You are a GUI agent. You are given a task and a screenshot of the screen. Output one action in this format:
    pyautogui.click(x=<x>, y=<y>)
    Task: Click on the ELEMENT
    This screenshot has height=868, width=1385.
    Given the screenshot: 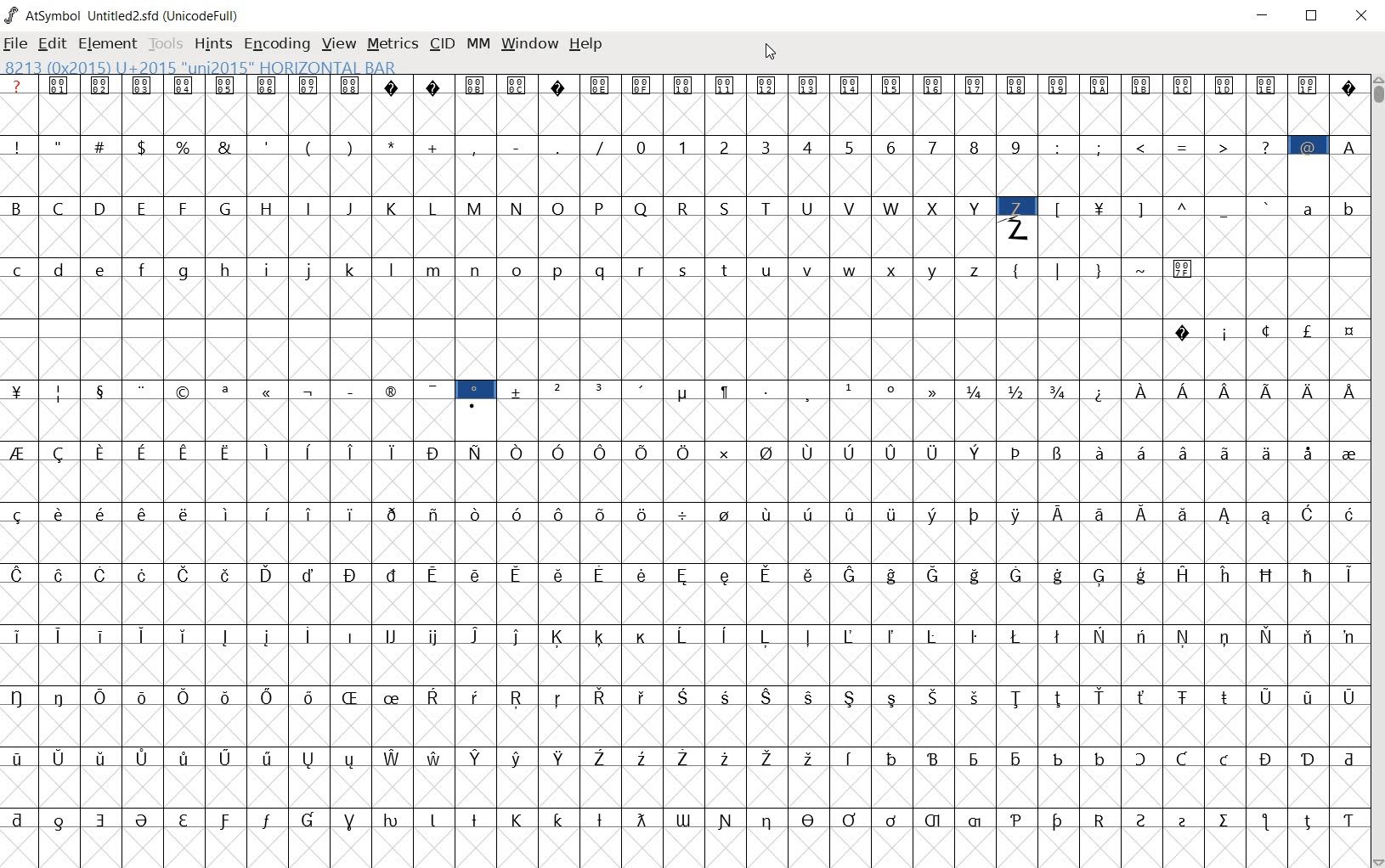 What is the action you would take?
    pyautogui.click(x=109, y=43)
    